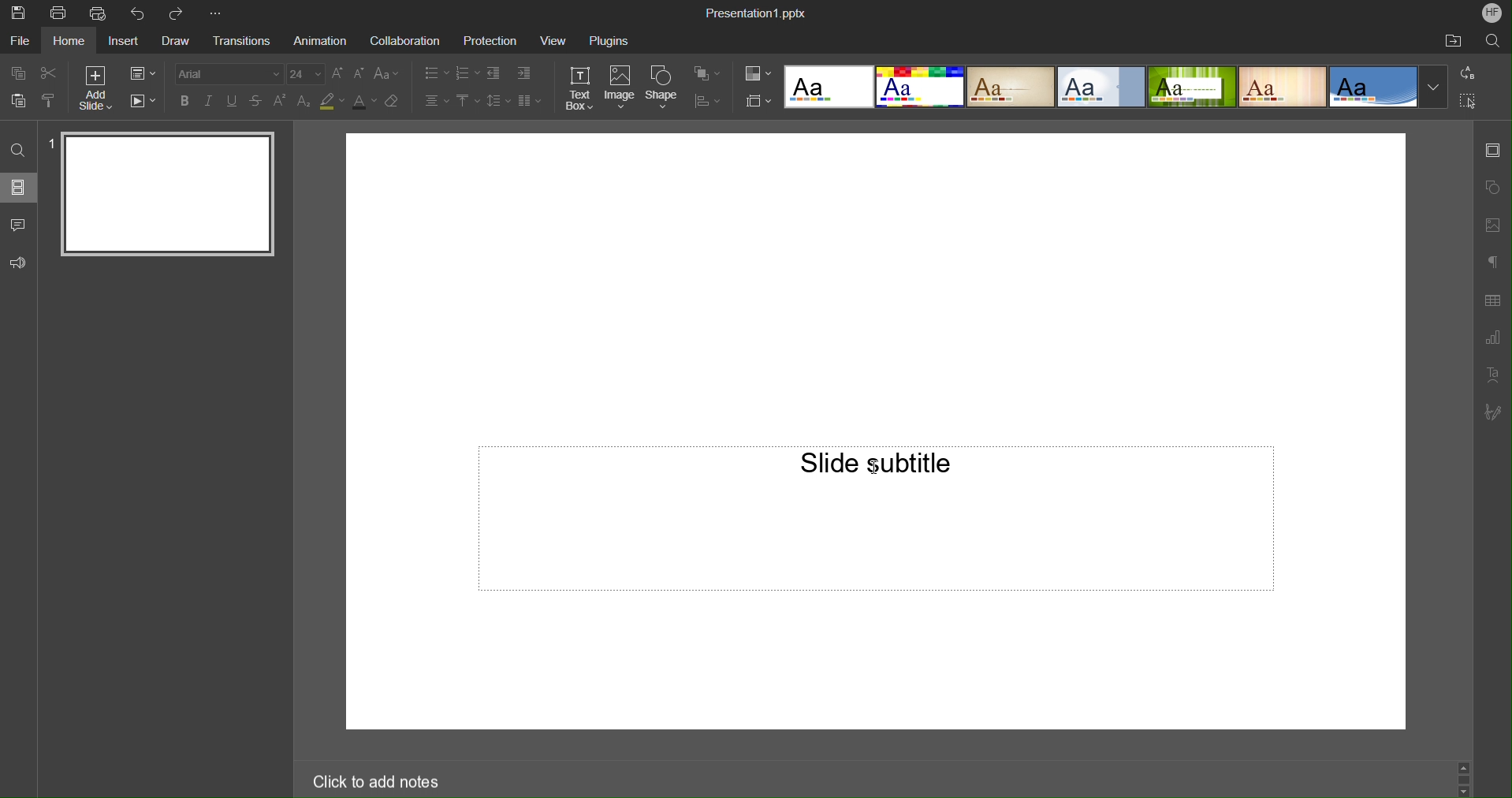  Describe the element at coordinates (16, 101) in the screenshot. I see `Paste` at that location.